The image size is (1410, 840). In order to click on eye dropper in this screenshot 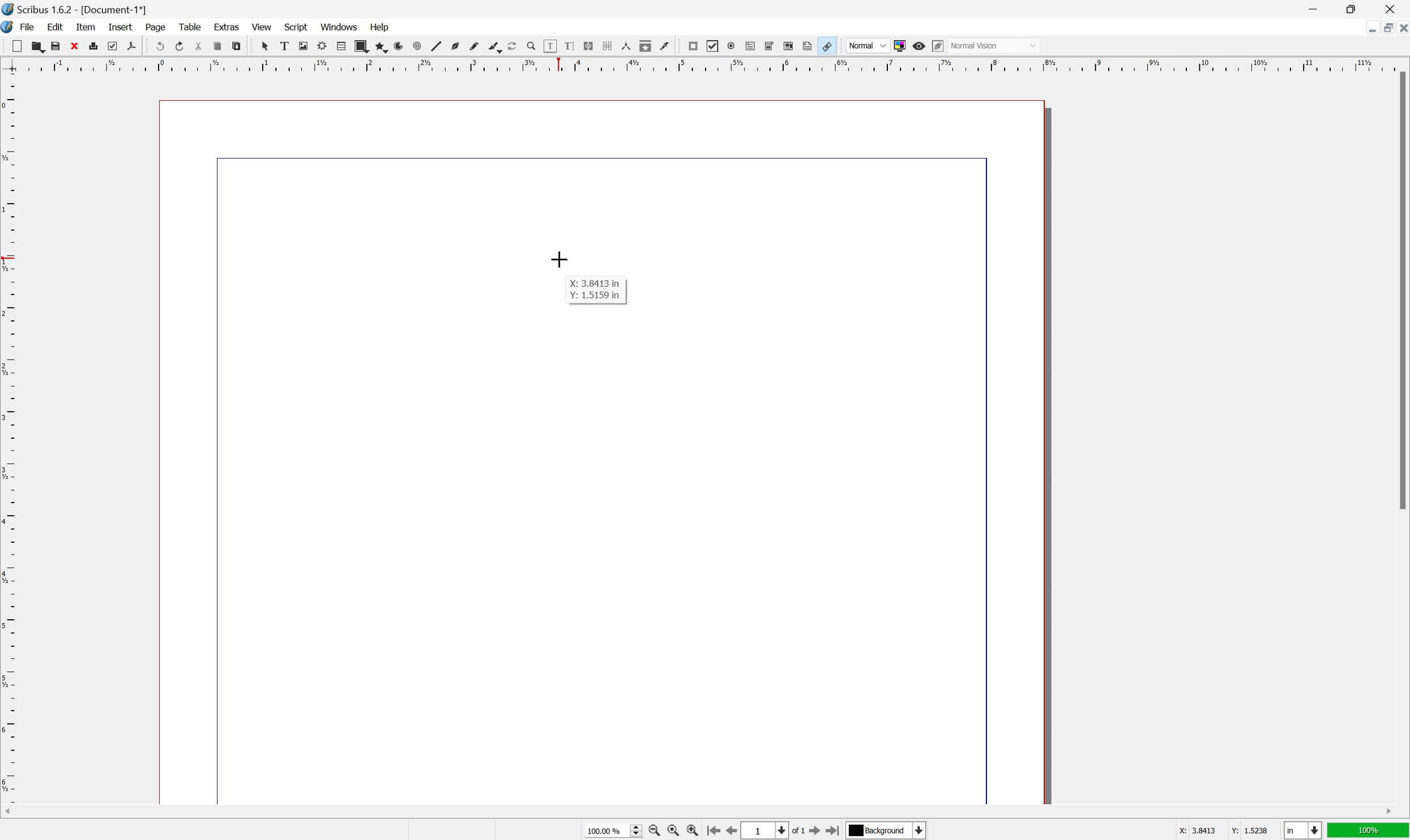, I will do `click(665, 46)`.